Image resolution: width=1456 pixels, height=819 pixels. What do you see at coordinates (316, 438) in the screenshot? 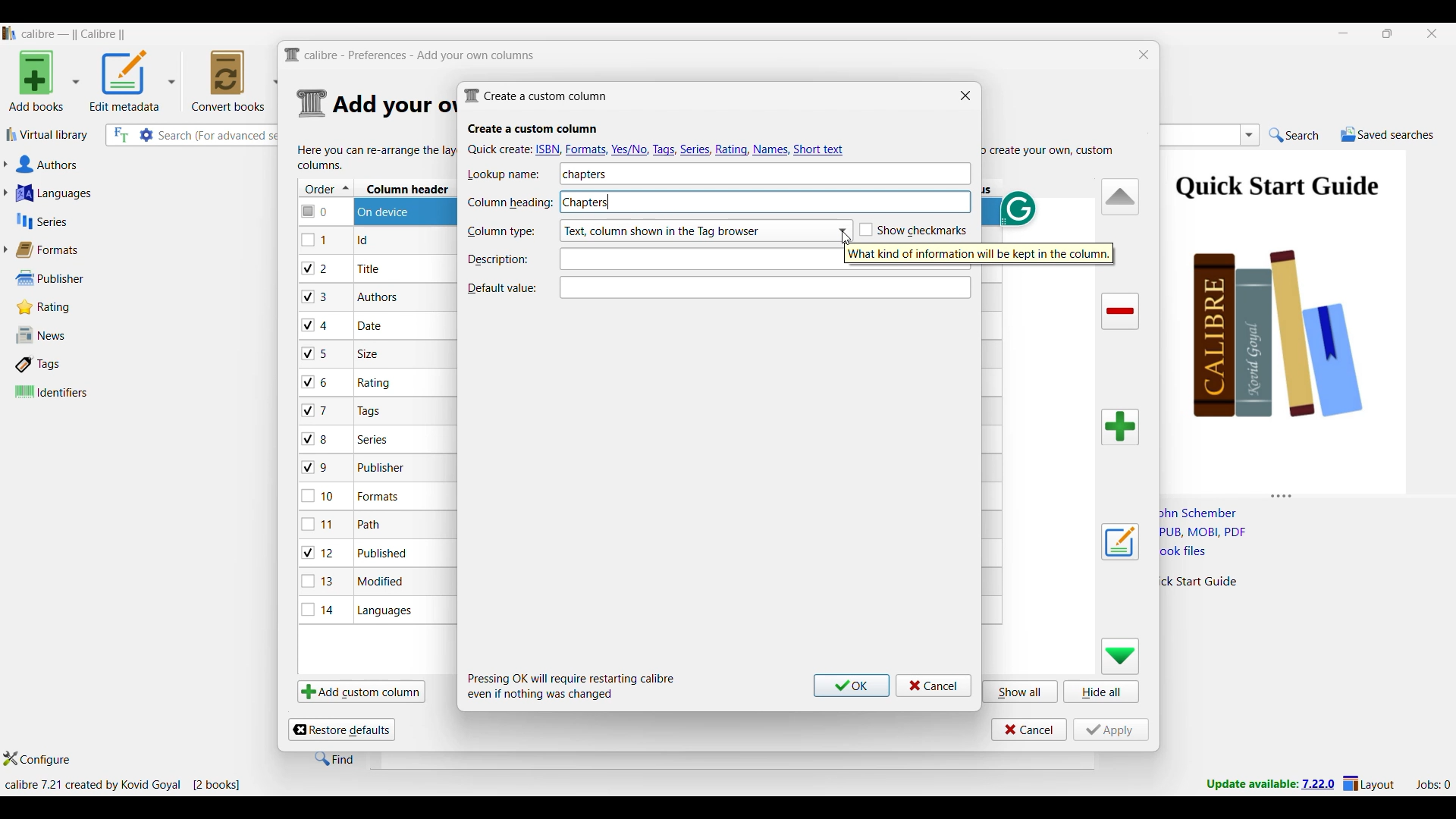
I see `checkbox - 8` at bounding box center [316, 438].